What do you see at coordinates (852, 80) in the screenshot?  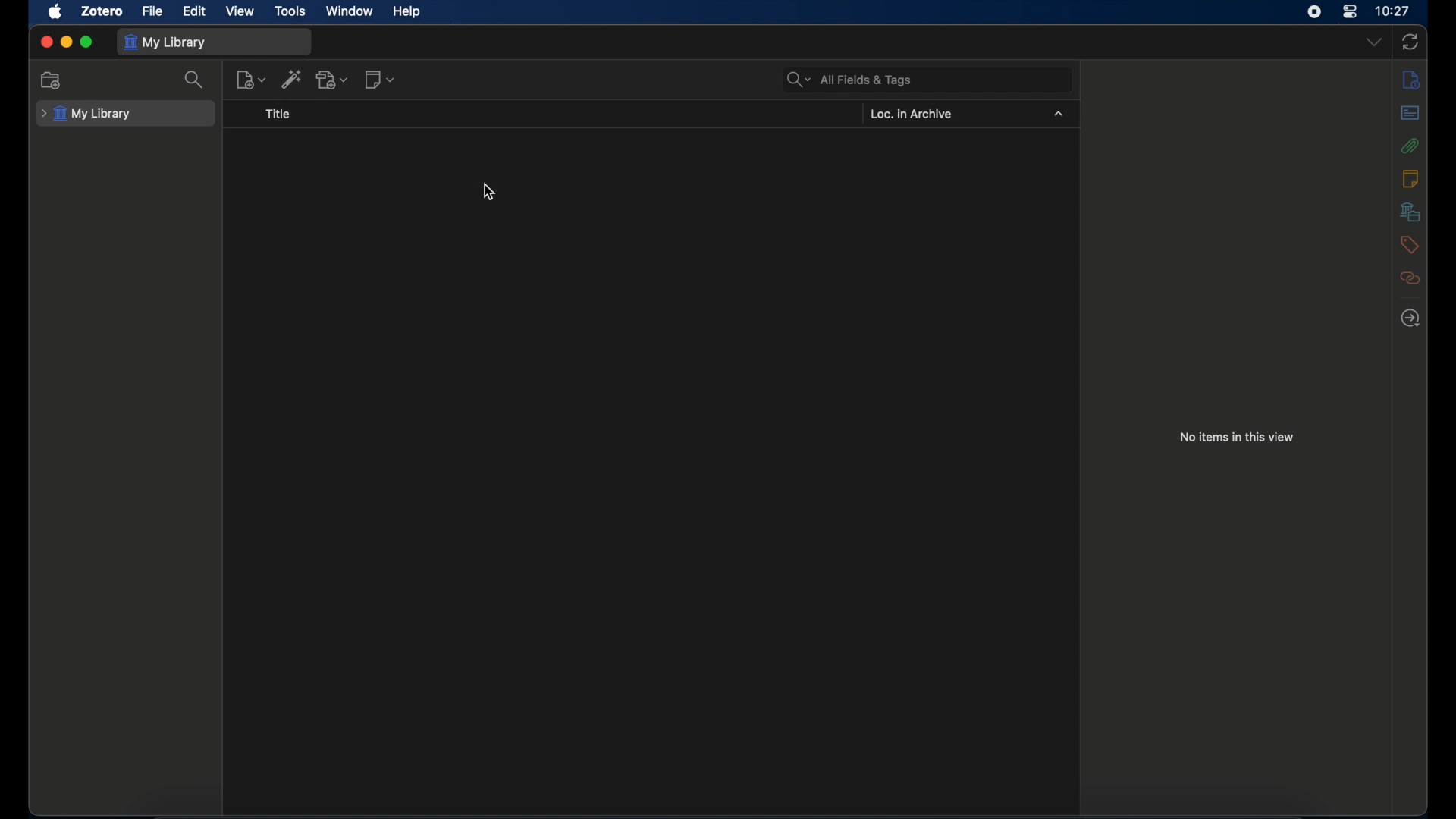 I see `all fields & Tags` at bounding box center [852, 80].